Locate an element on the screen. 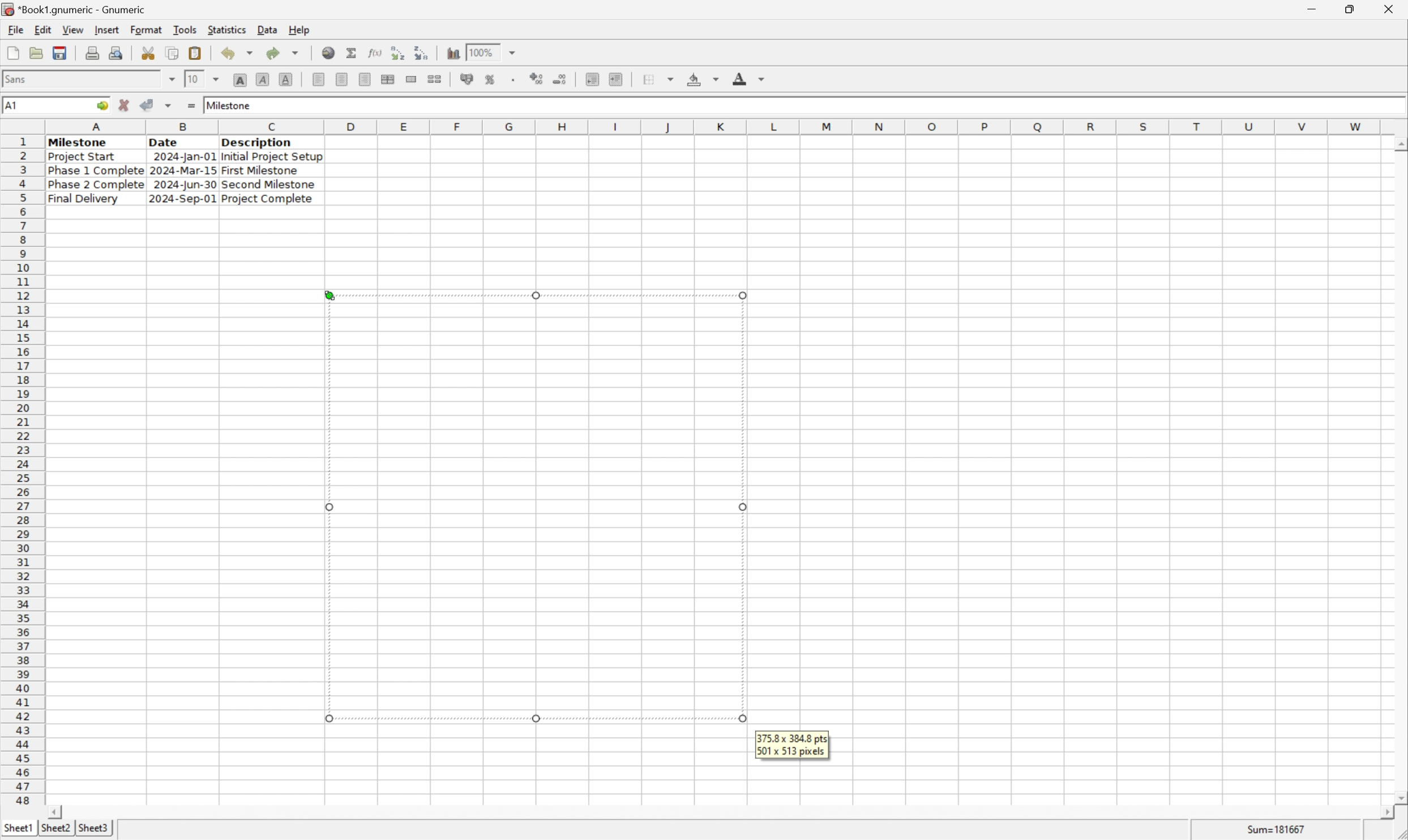 The height and width of the screenshot is (840, 1408). dimensions is located at coordinates (792, 744).